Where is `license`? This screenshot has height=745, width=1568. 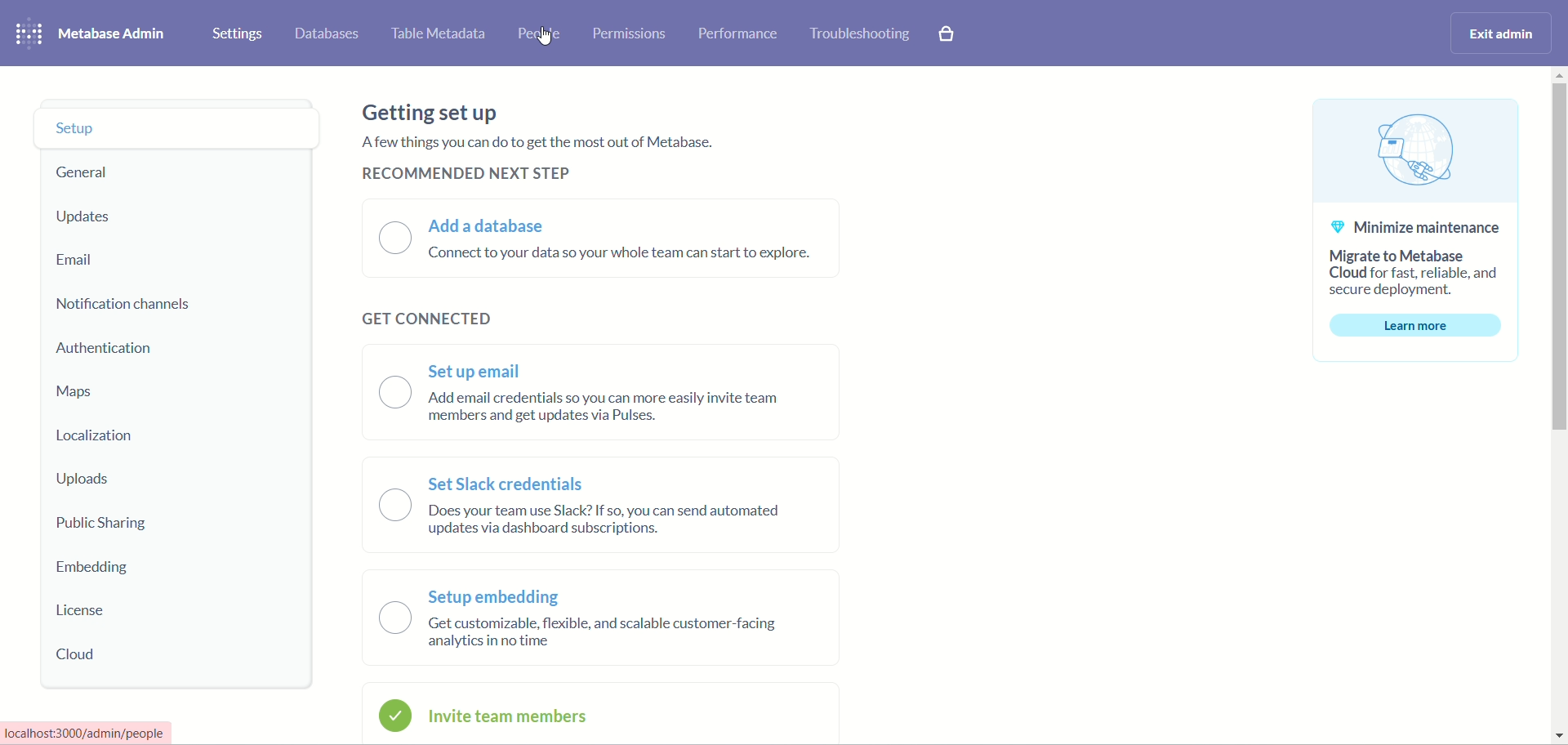 license is located at coordinates (82, 611).